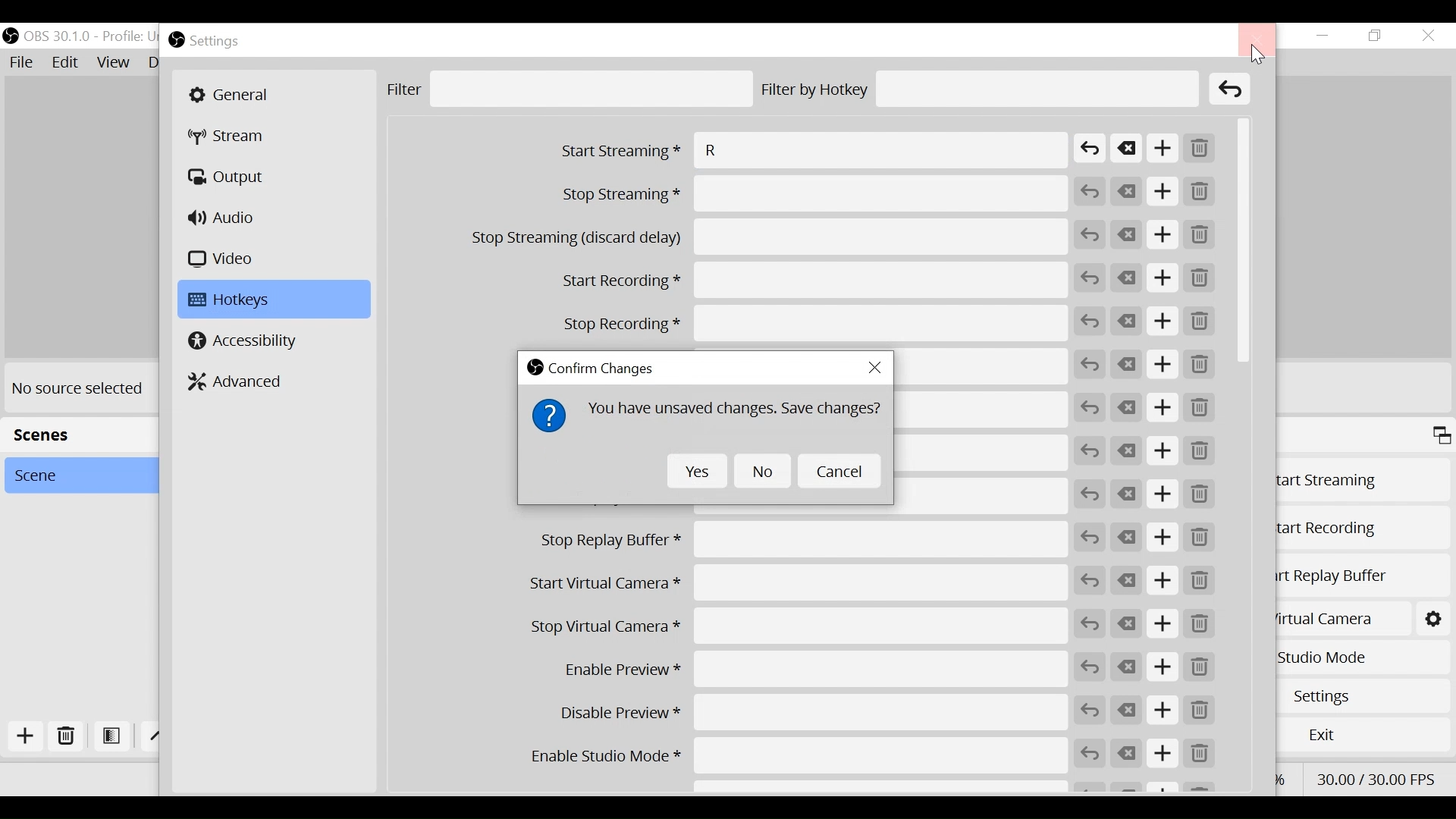  I want to click on Start Recording, so click(800, 279).